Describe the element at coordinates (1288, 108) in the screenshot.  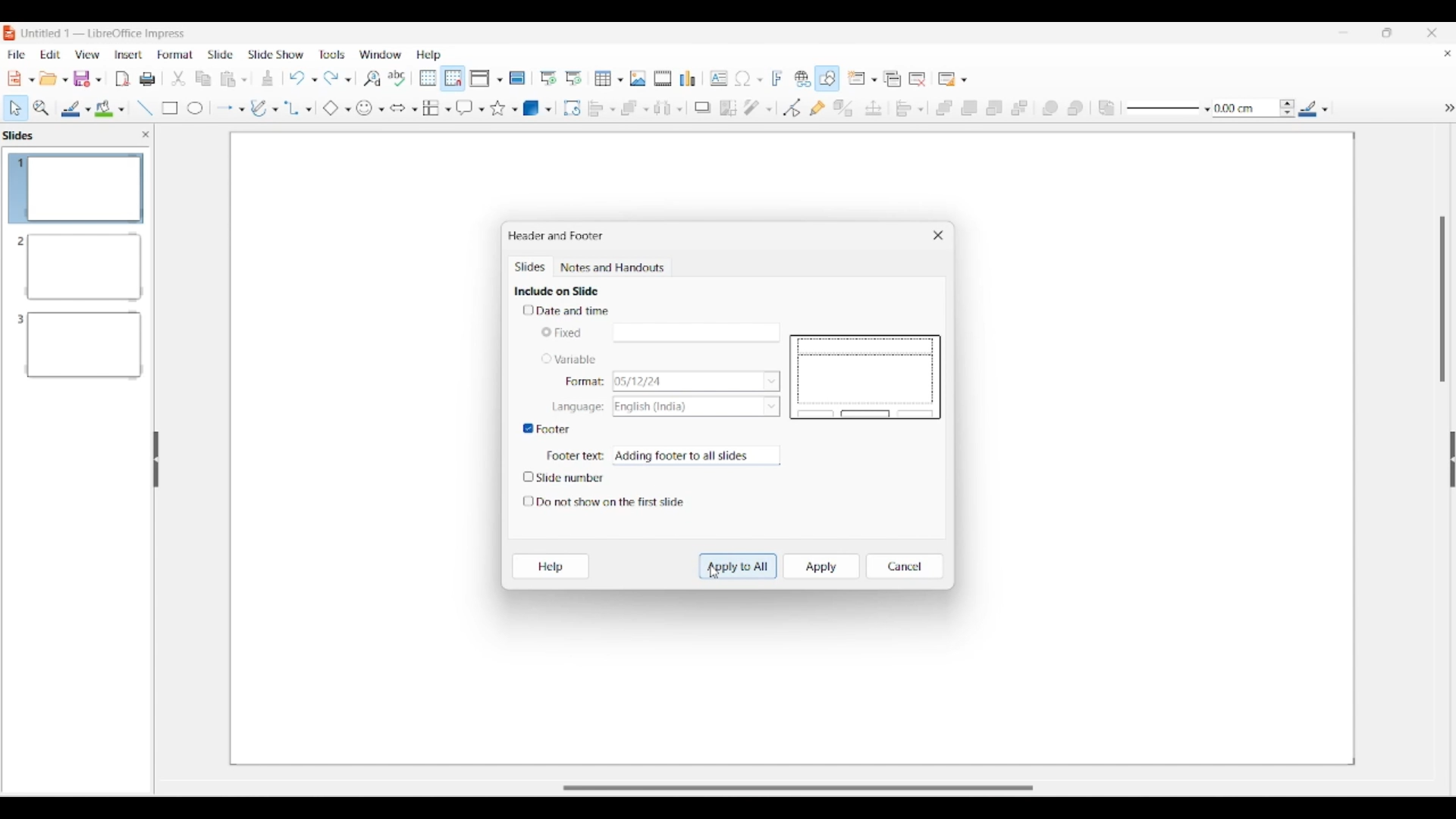
I see `Increase/Decrease line thickness` at that location.